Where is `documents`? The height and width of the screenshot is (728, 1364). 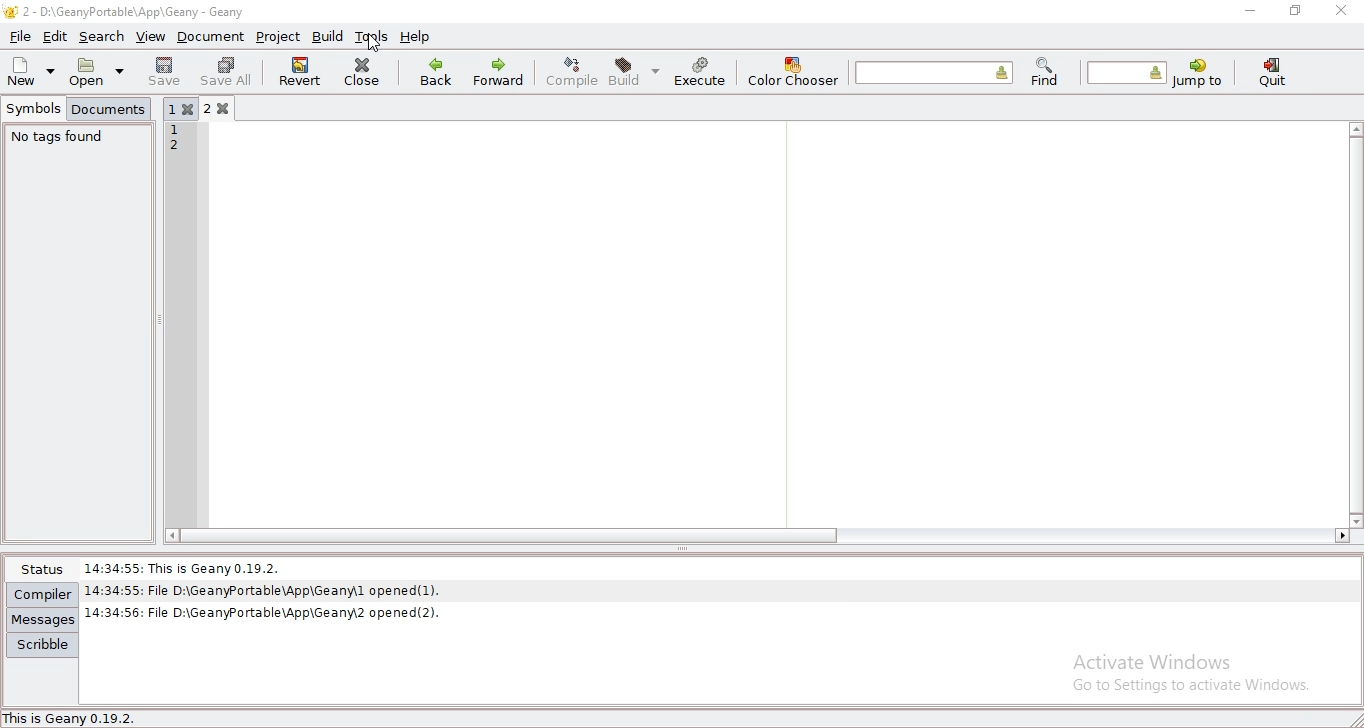
documents is located at coordinates (110, 110).